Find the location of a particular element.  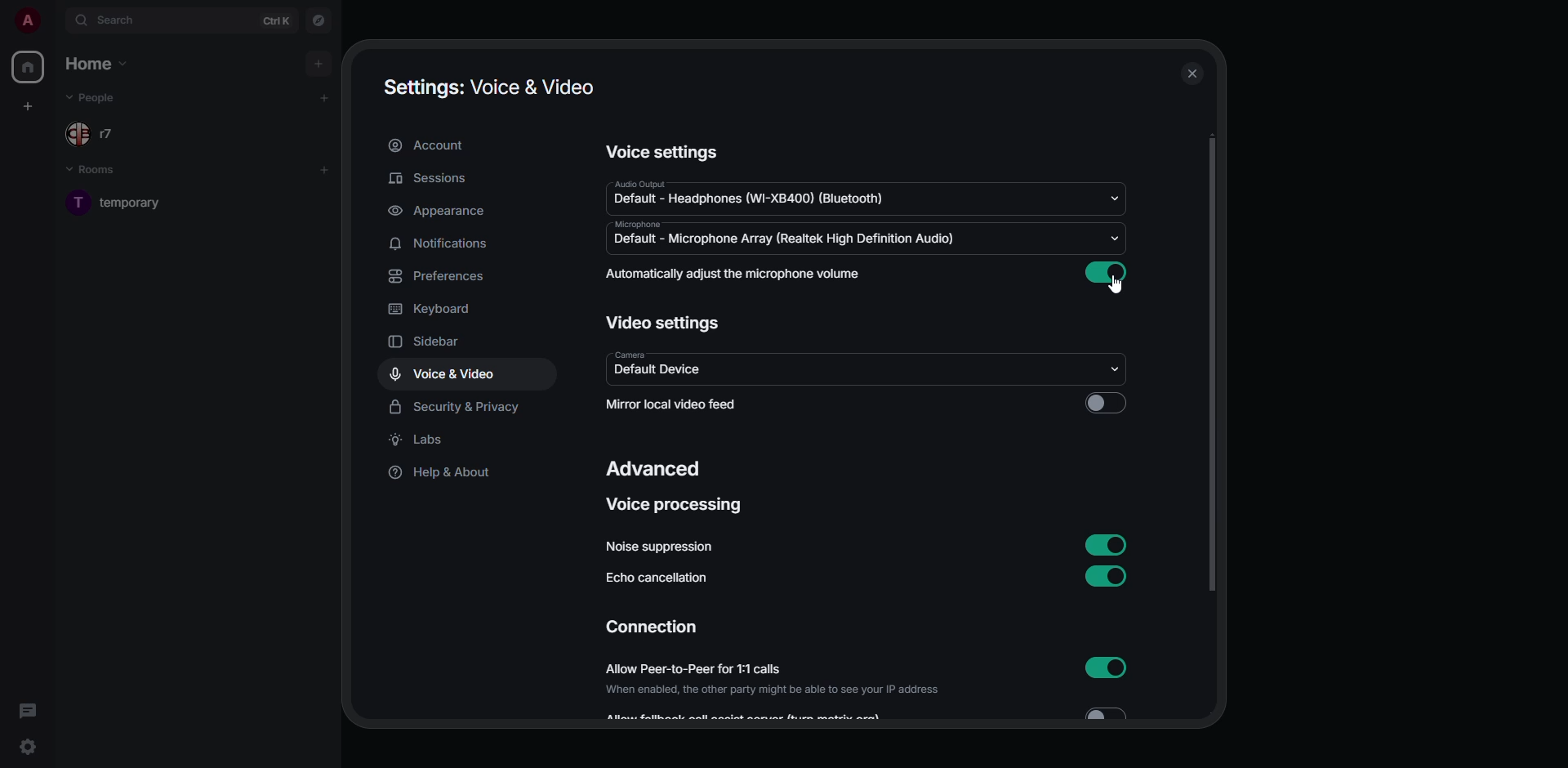

create space is located at coordinates (29, 106).